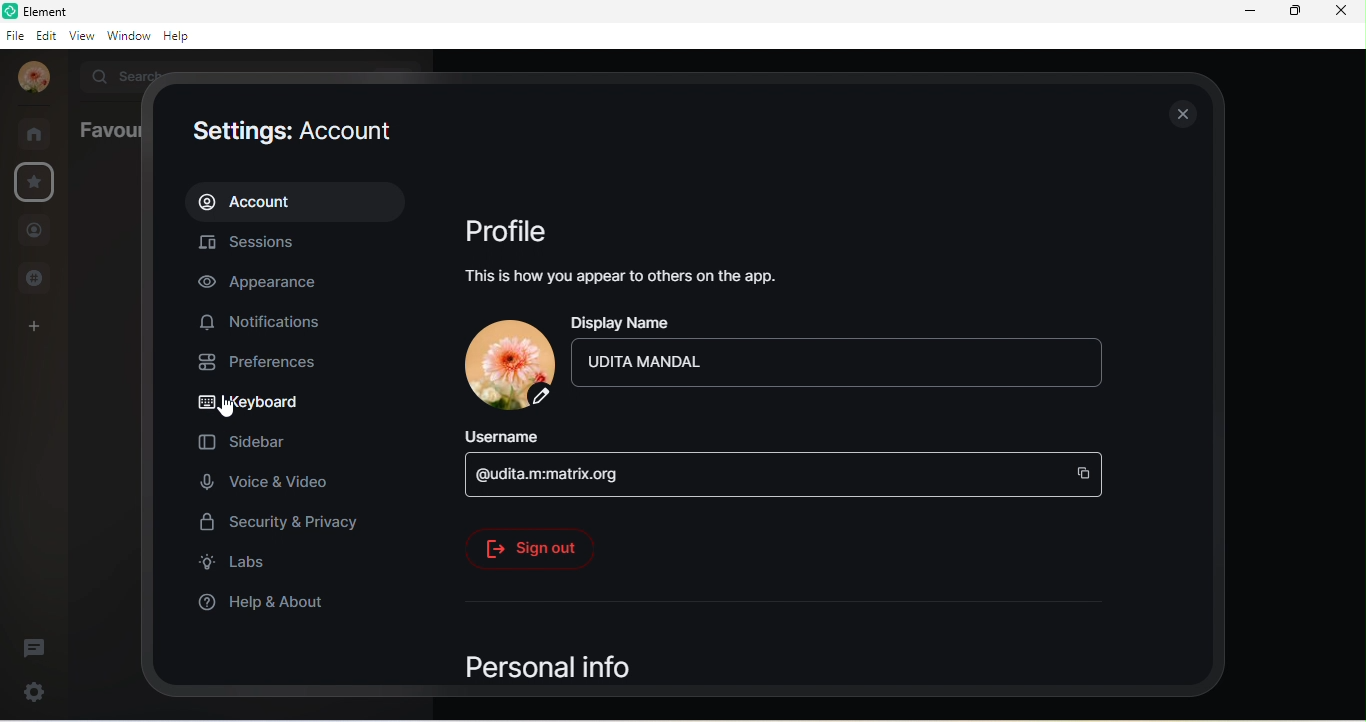  What do you see at coordinates (837, 367) in the screenshot?
I see `udita mandal` at bounding box center [837, 367].